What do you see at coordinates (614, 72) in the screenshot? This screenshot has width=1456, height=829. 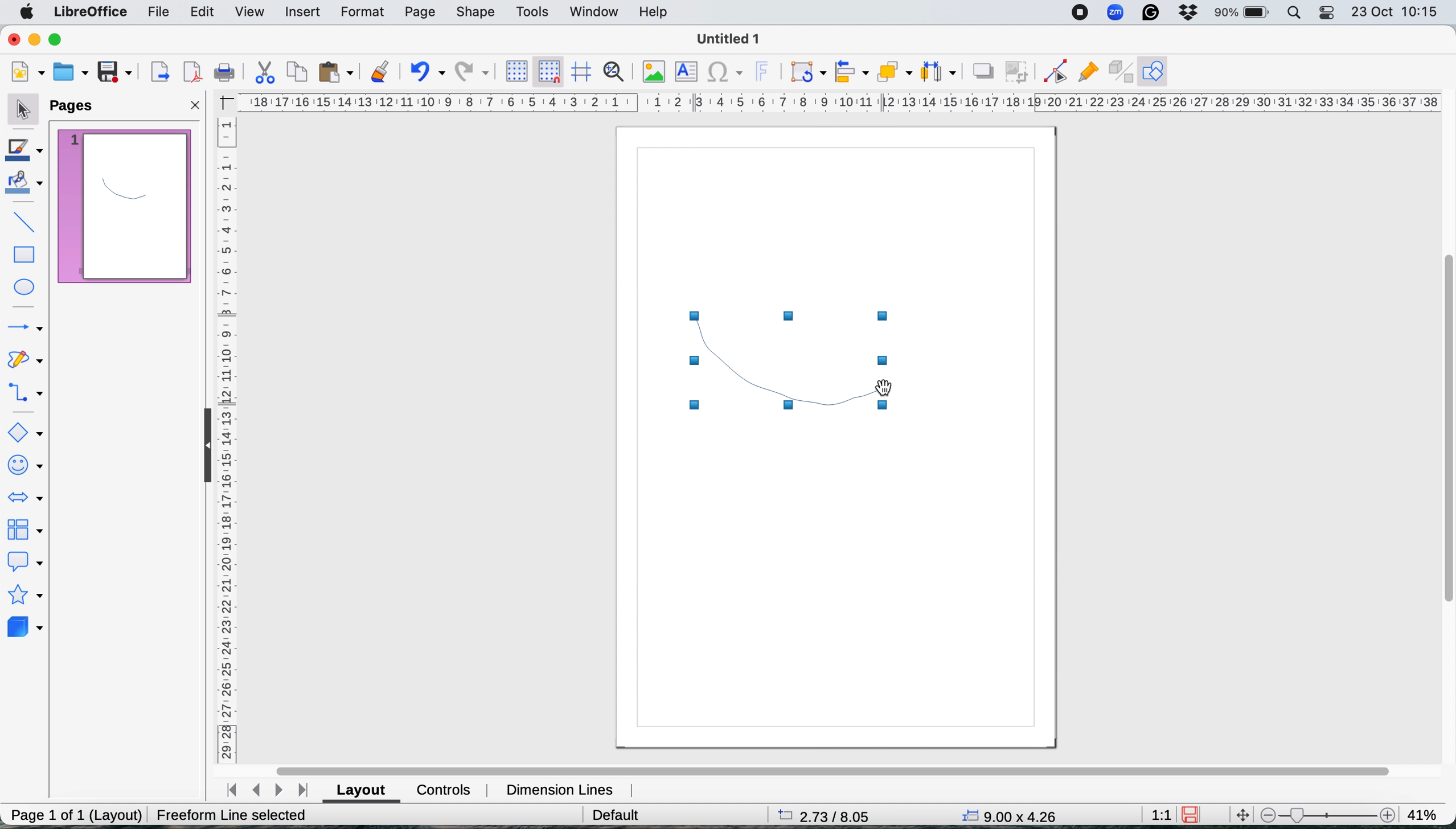 I see `zoom and pan` at bounding box center [614, 72].